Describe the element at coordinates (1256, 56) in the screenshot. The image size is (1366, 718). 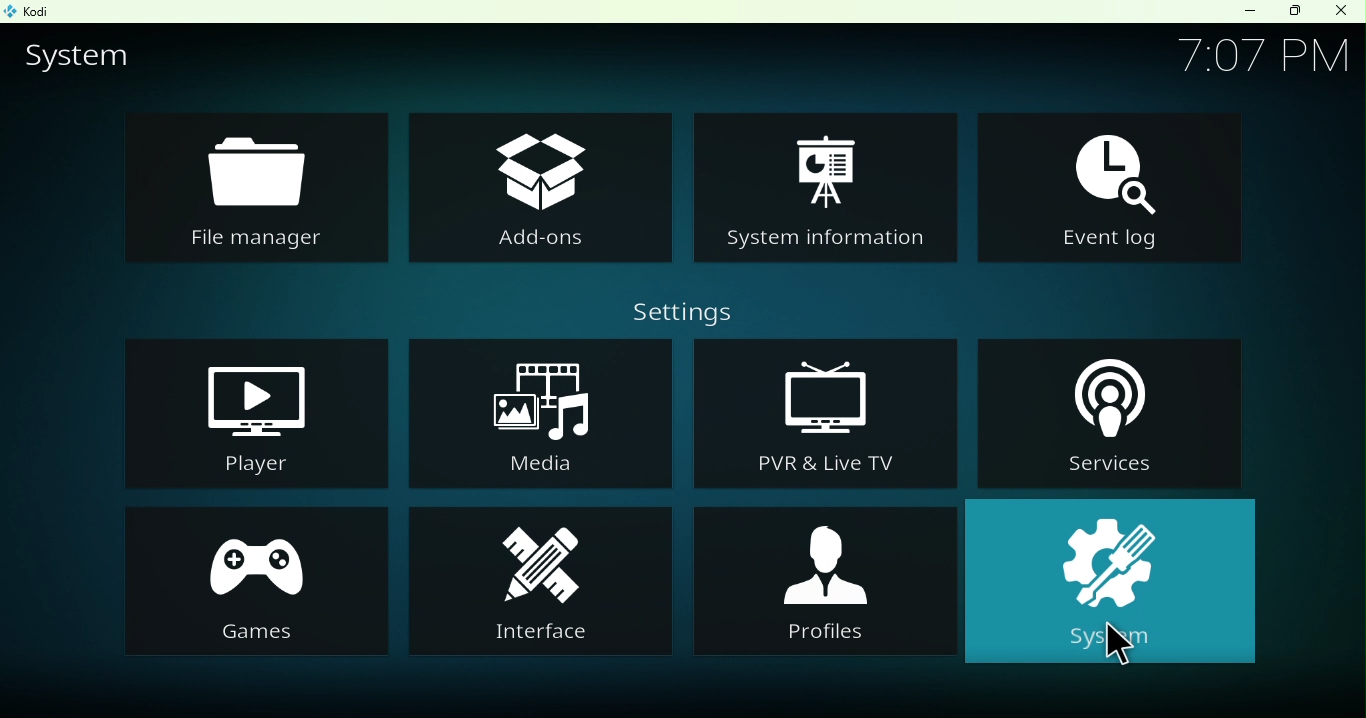
I see `7:07 PM` at that location.